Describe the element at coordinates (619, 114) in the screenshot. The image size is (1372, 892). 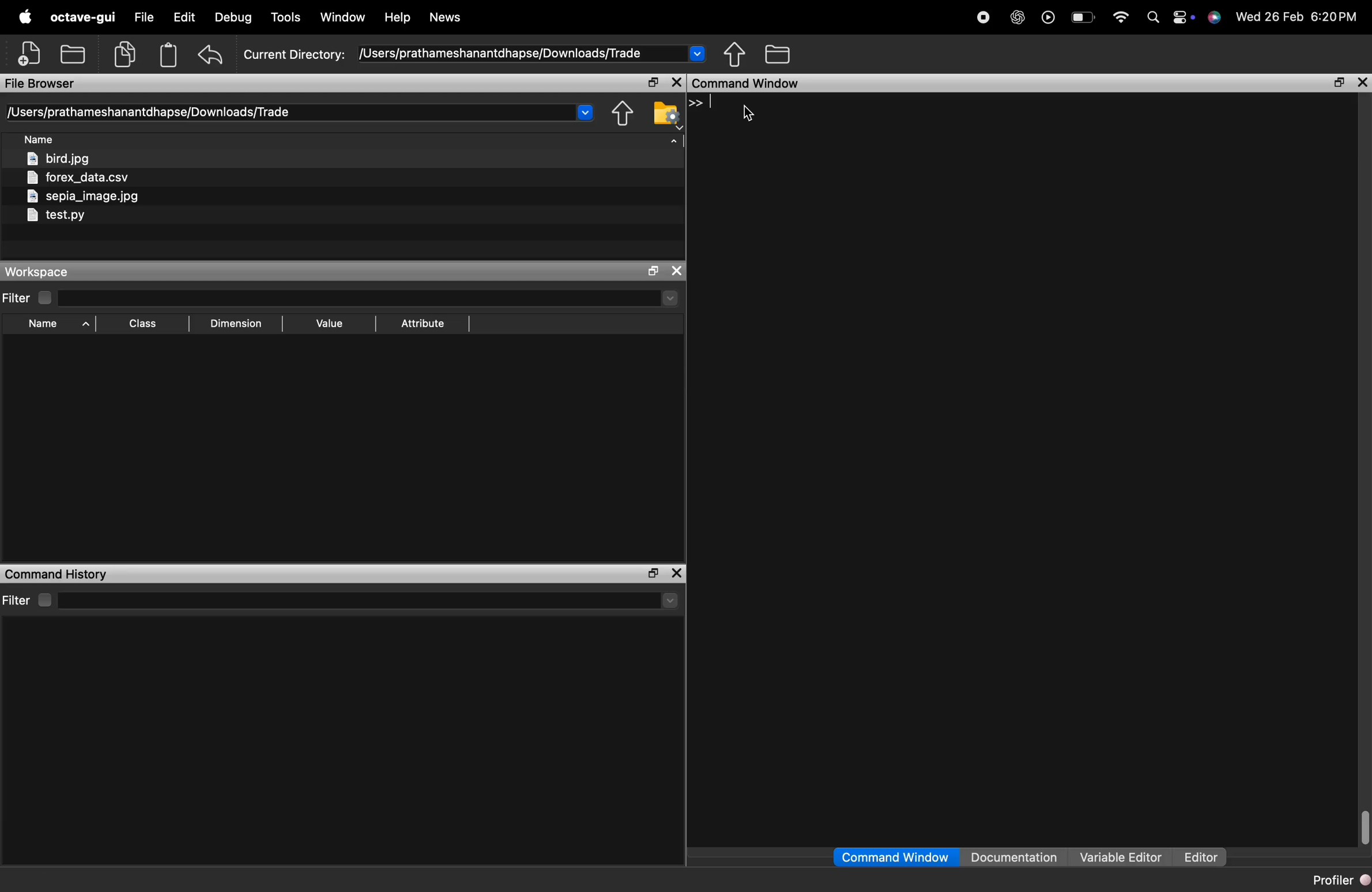
I see `Go back` at that location.